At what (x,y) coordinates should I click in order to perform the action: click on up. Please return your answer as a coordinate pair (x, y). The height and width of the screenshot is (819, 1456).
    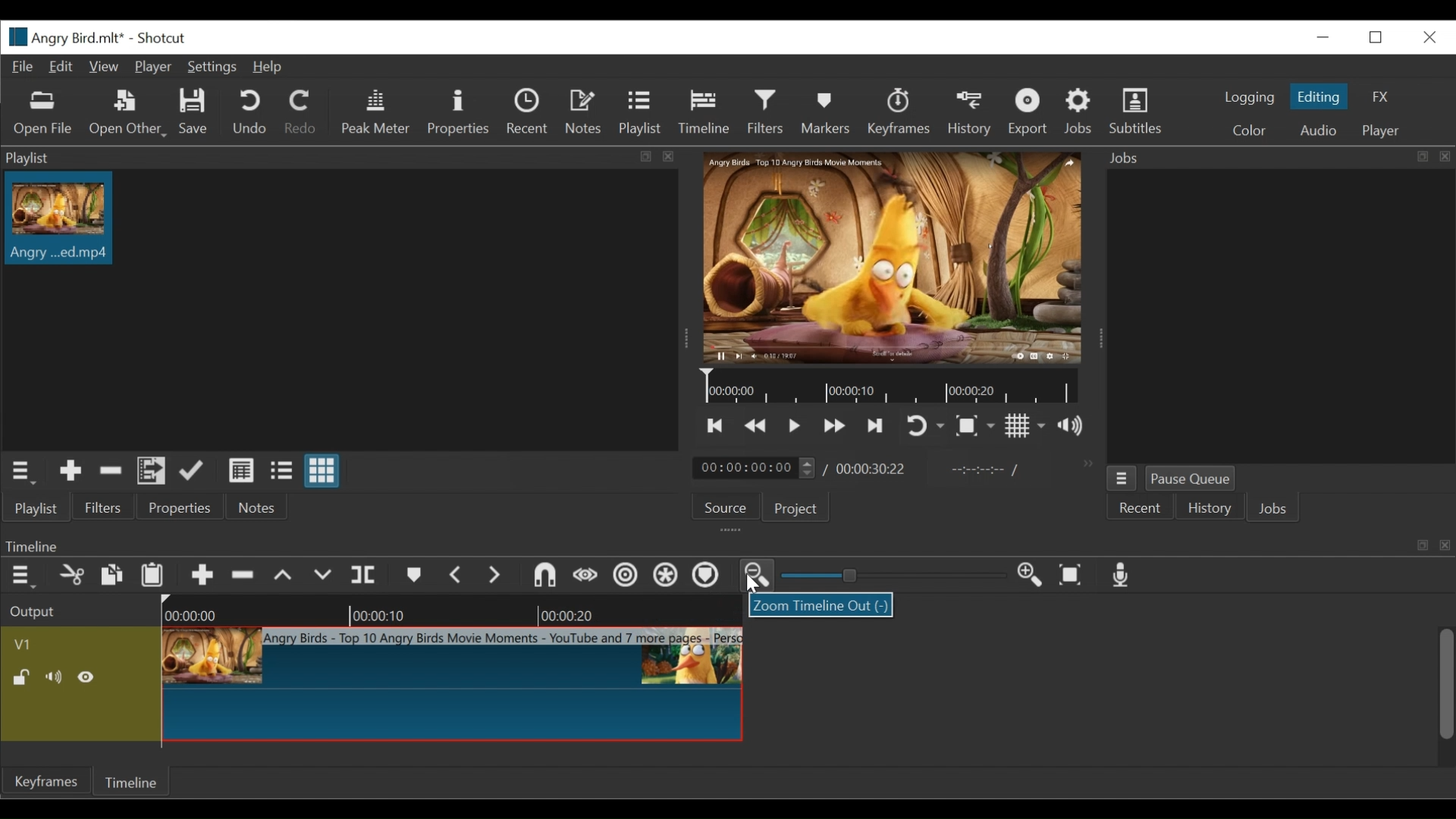
    Looking at the image, I should click on (289, 576).